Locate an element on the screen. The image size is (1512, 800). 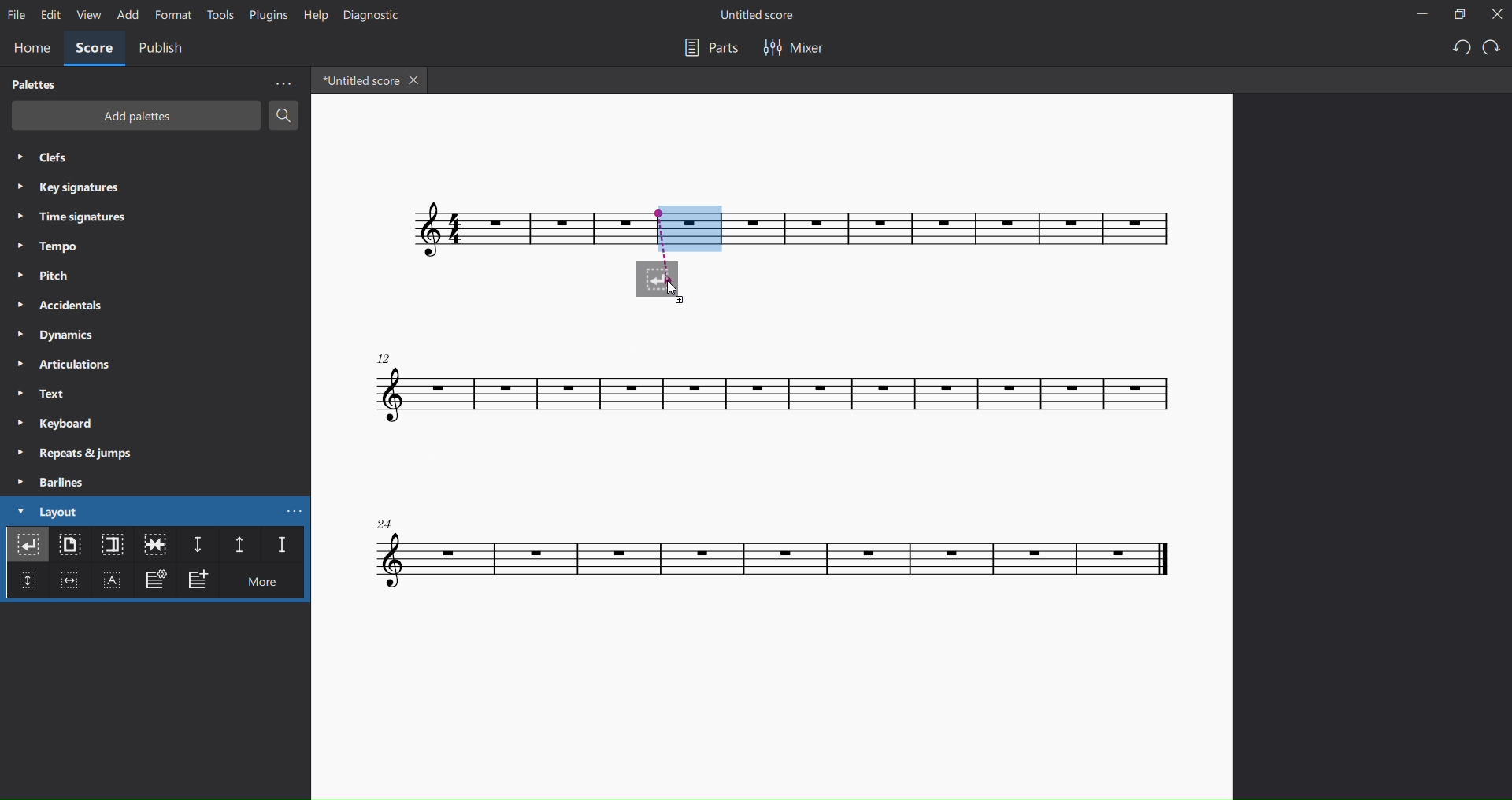
add frame is located at coordinates (202, 581).